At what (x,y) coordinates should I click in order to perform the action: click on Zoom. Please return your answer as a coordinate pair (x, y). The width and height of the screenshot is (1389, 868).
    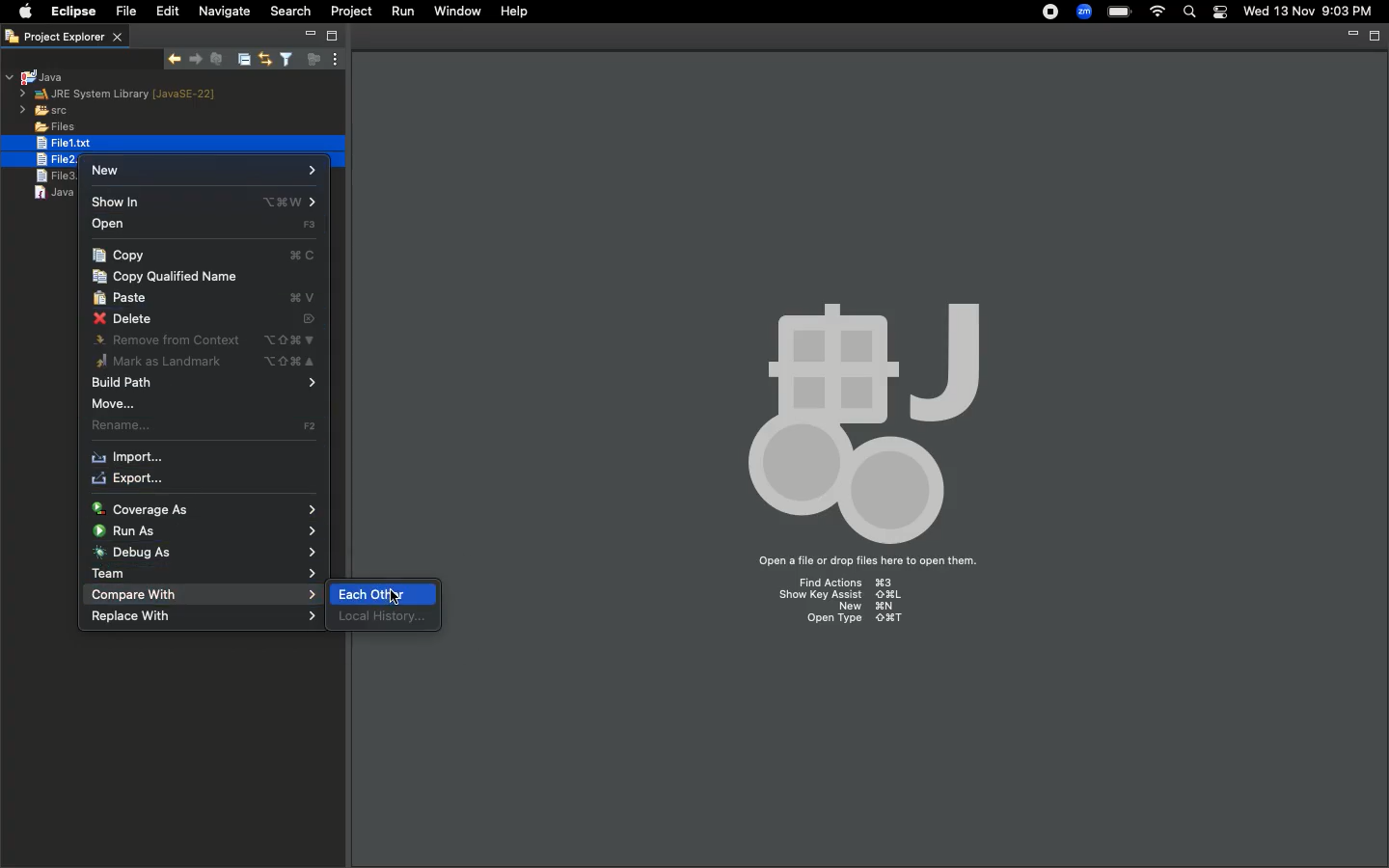
    Looking at the image, I should click on (1084, 12).